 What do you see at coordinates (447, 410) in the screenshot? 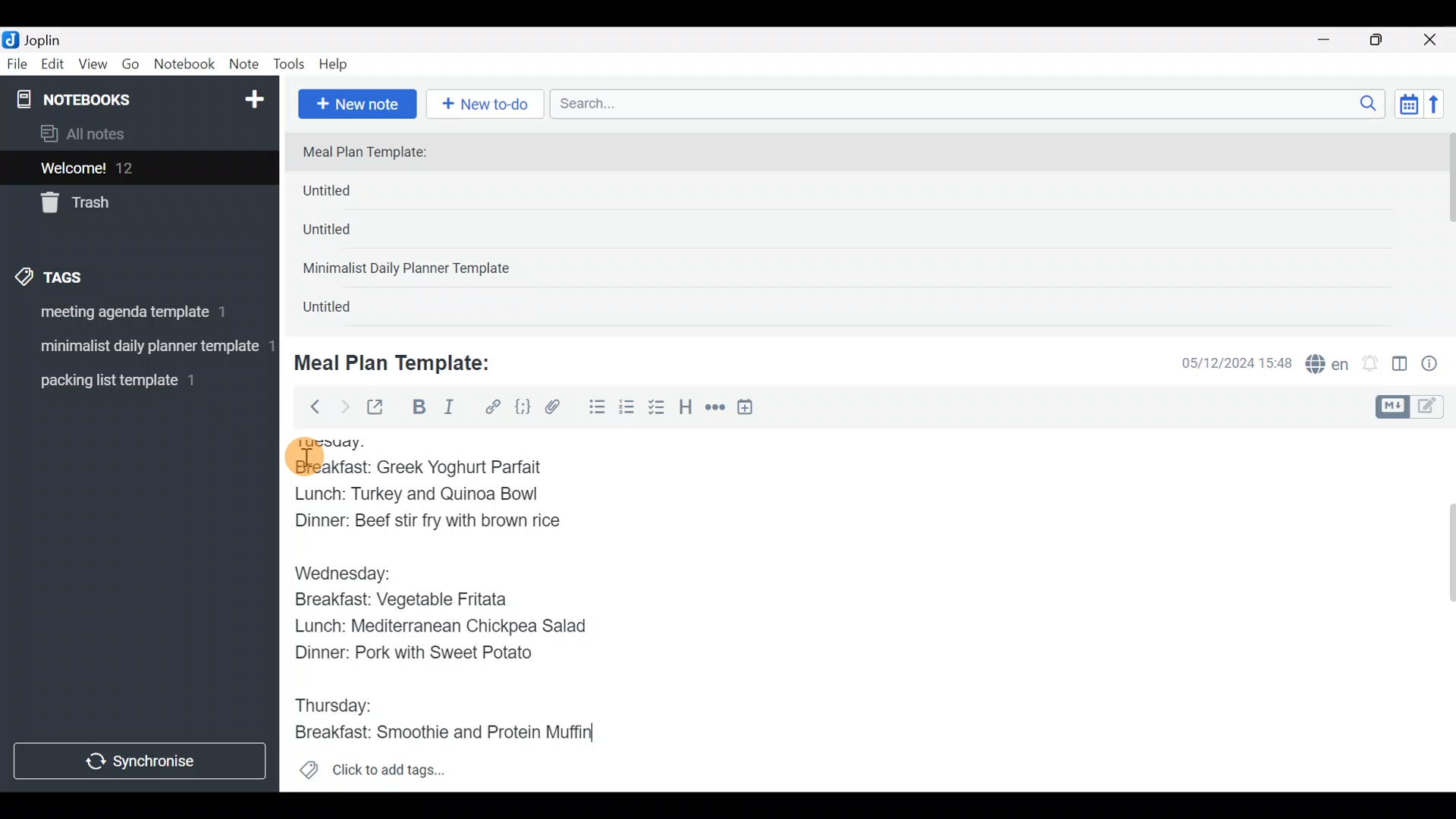
I see `Italic` at bounding box center [447, 410].